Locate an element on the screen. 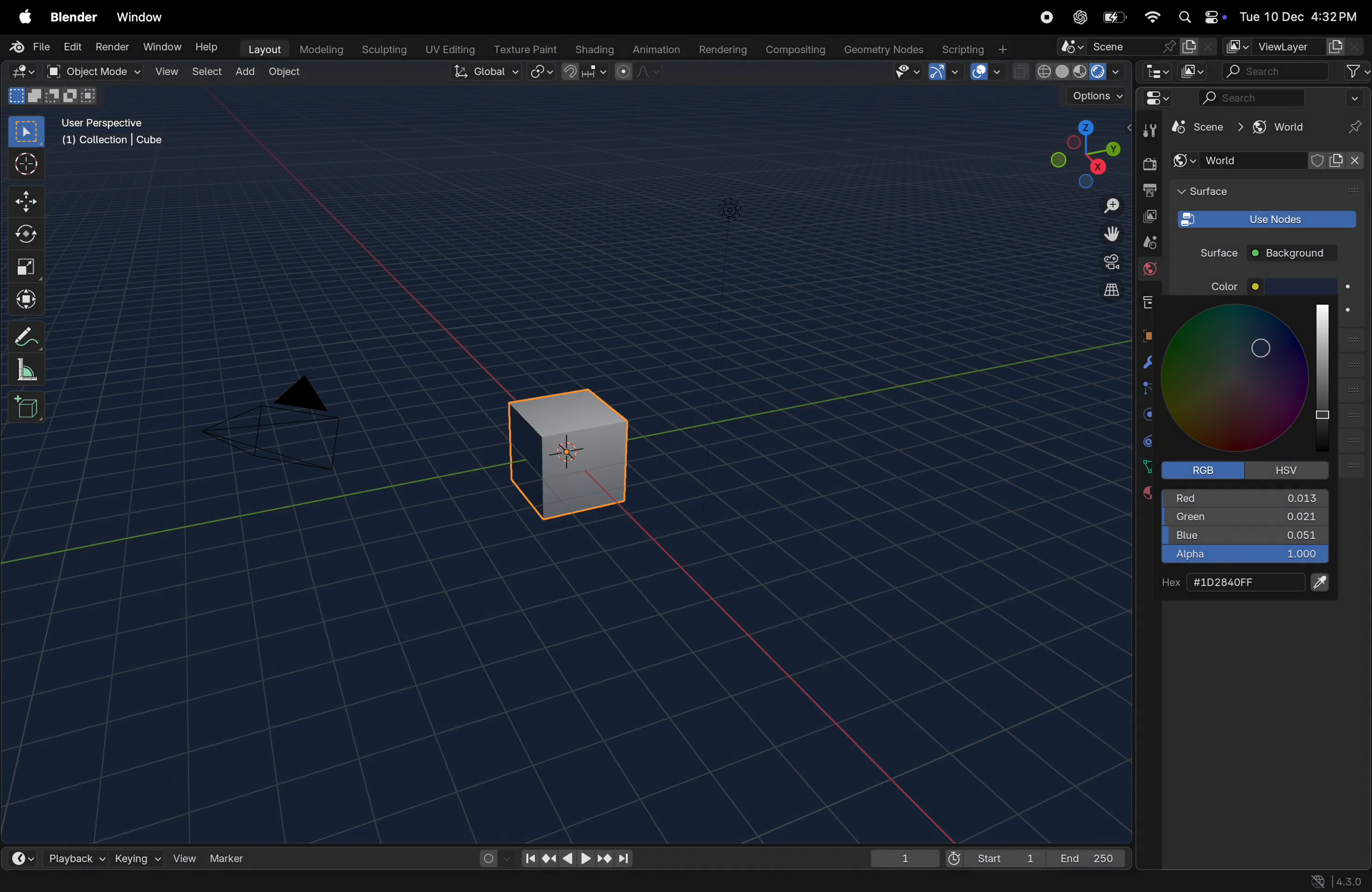  Blender is located at coordinates (73, 16).